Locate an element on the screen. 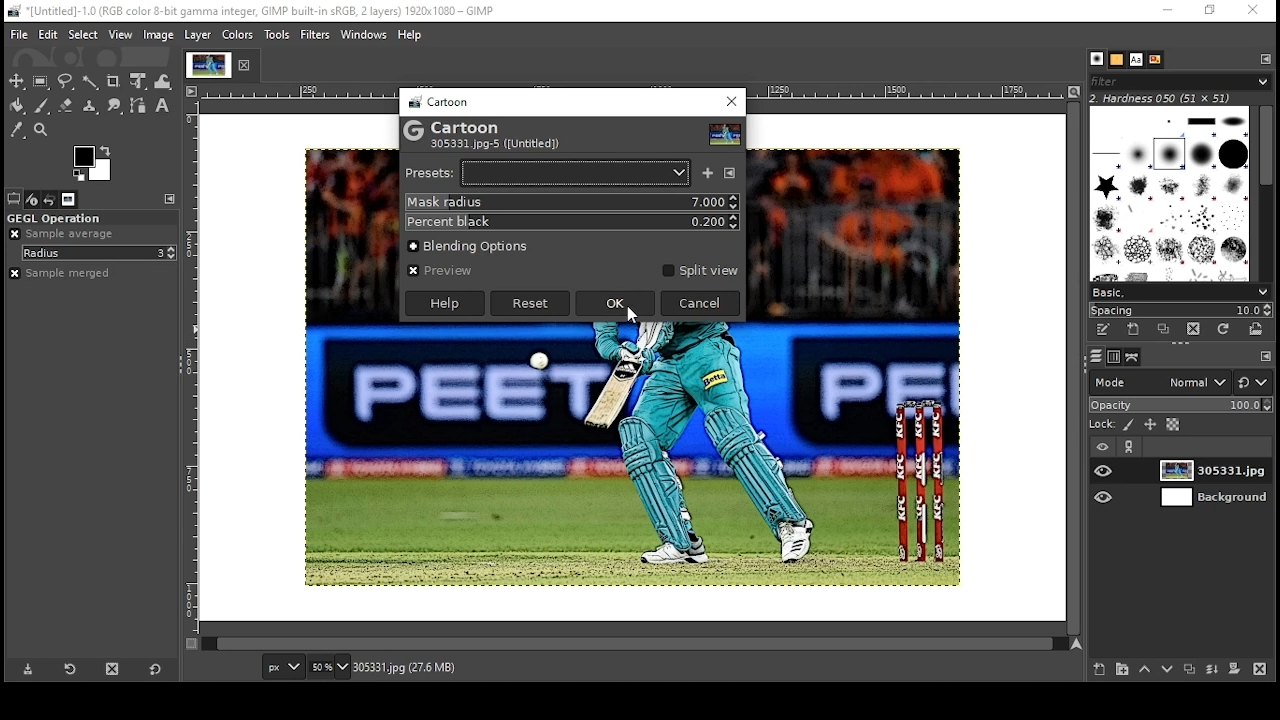 The height and width of the screenshot is (720, 1280). opacity is located at coordinates (1182, 405).